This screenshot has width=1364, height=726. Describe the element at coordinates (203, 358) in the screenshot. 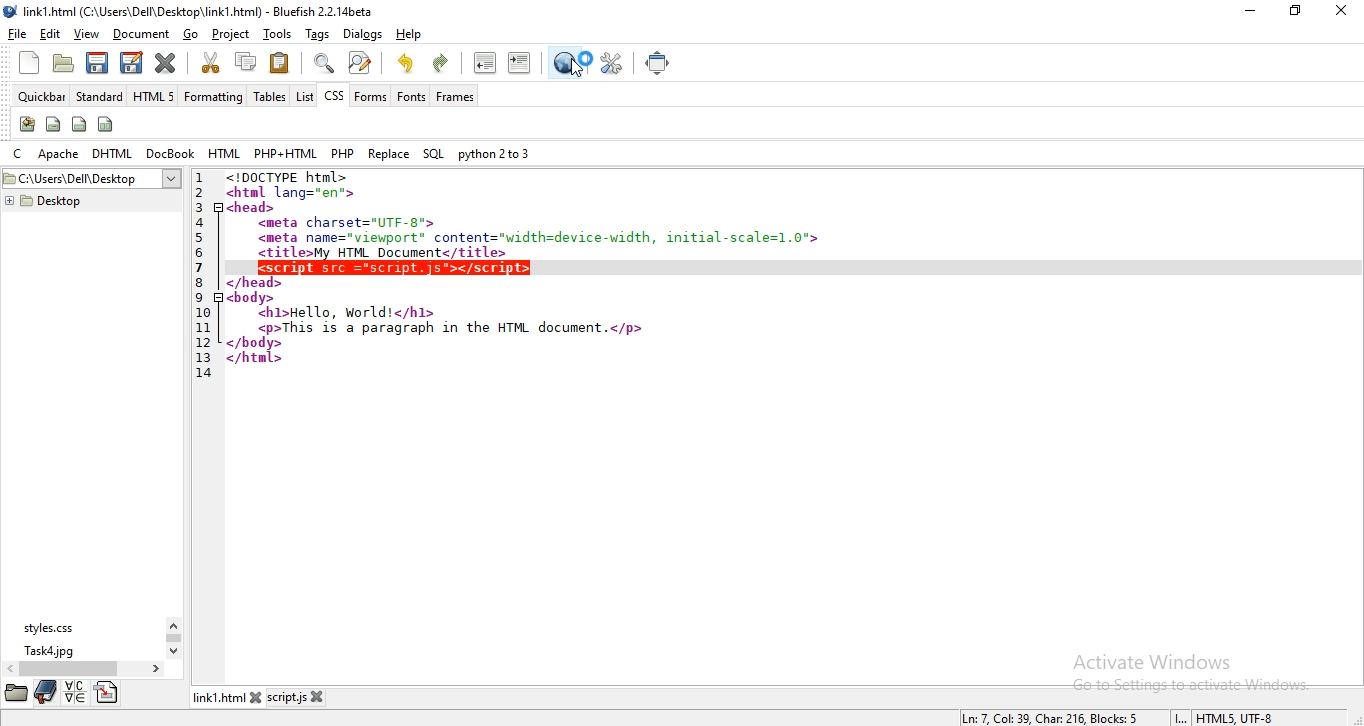

I see `13` at that location.